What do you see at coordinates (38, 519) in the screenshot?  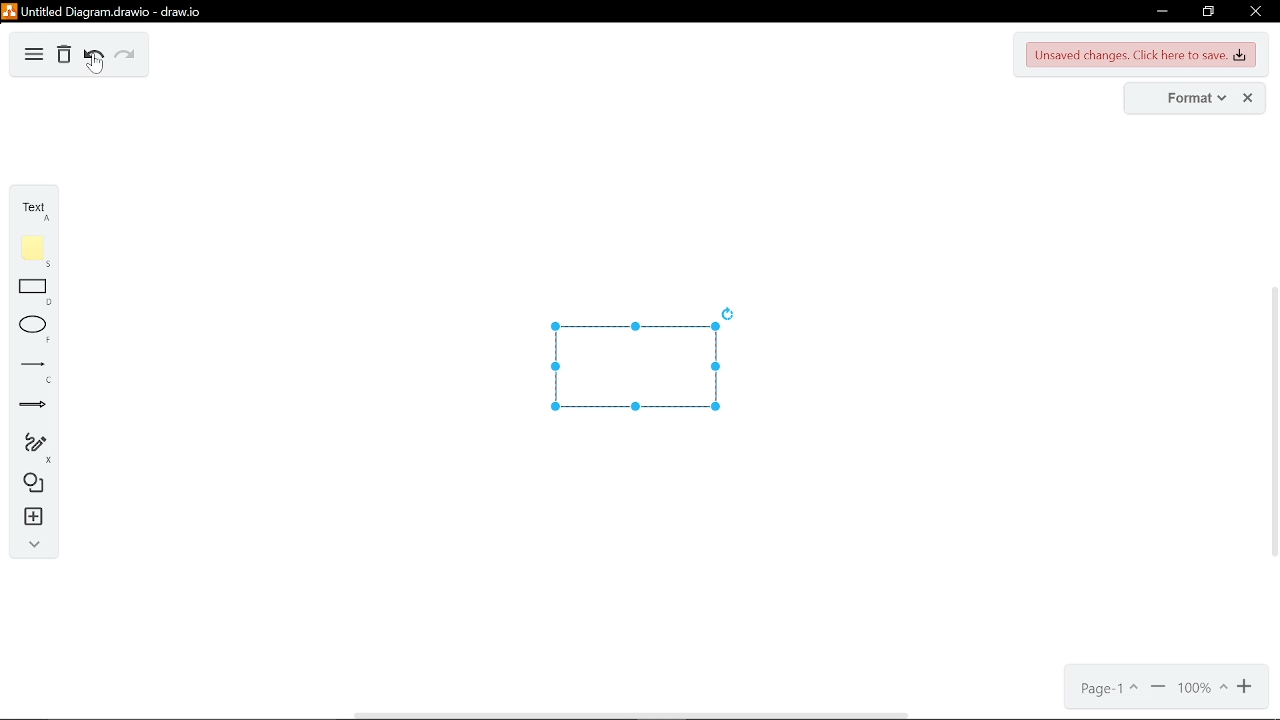 I see `insert` at bounding box center [38, 519].